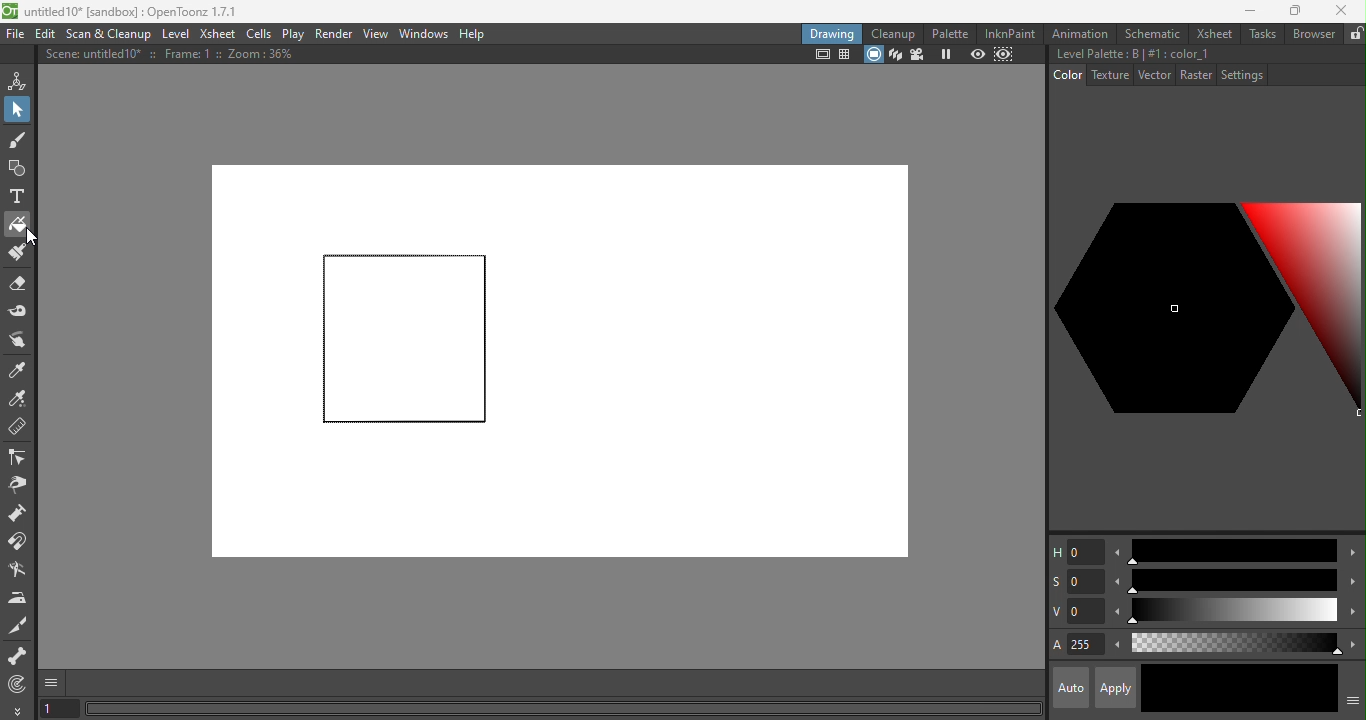  What do you see at coordinates (477, 32) in the screenshot?
I see `Help` at bounding box center [477, 32].